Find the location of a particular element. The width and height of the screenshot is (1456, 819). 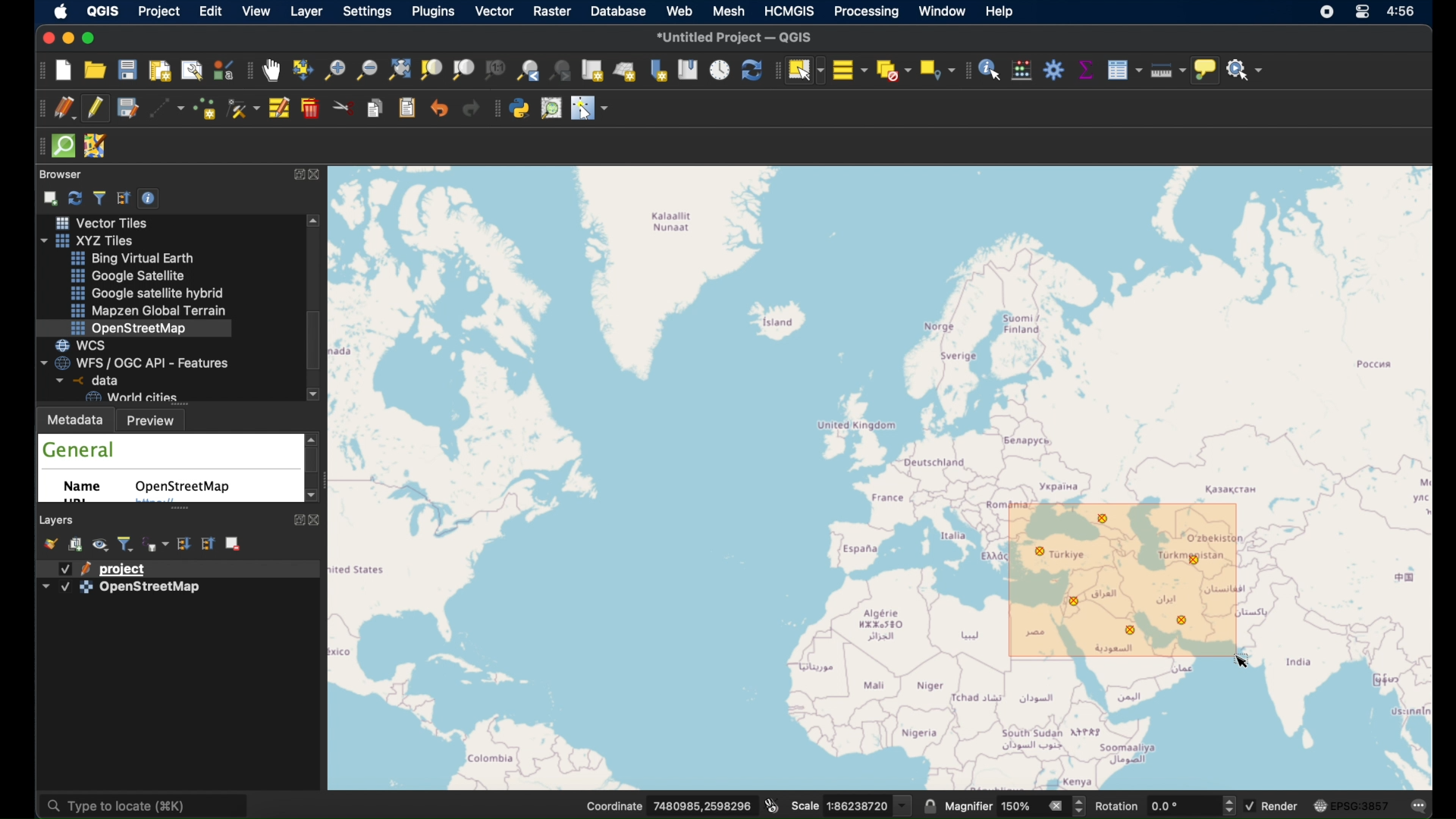

openstreetmap layer is located at coordinates (151, 590).